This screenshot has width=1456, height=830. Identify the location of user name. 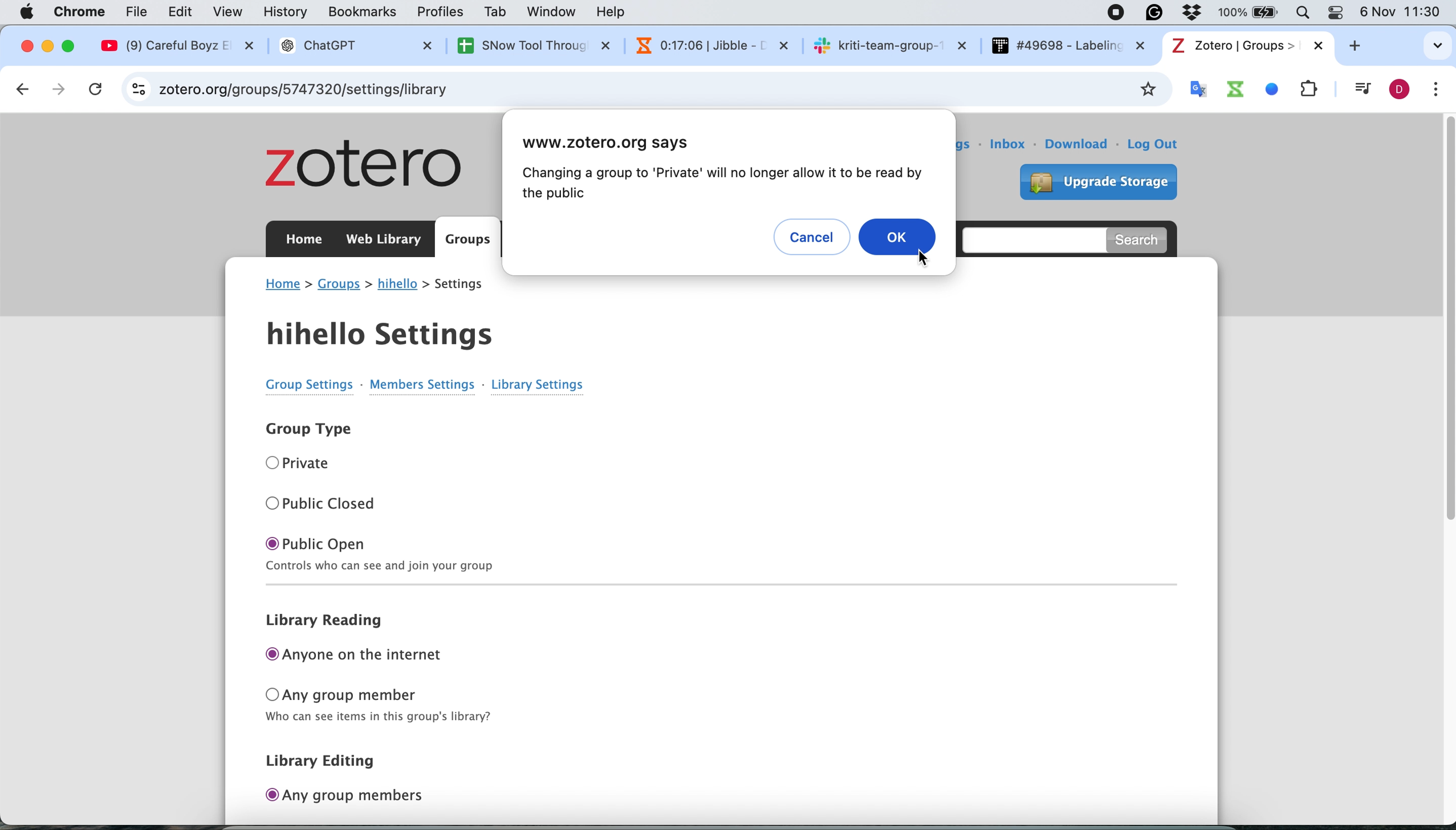
(873, 147).